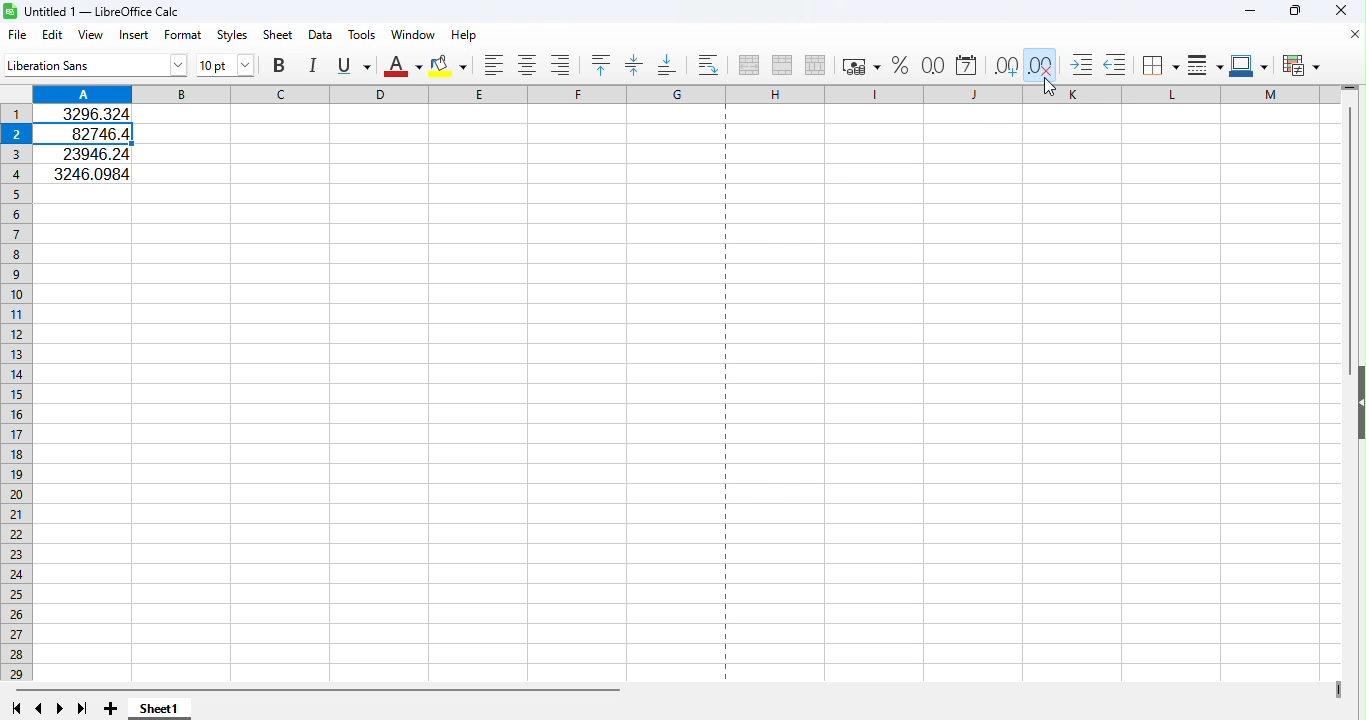 The width and height of the screenshot is (1366, 720). I want to click on Add Decimal place, so click(1005, 63).